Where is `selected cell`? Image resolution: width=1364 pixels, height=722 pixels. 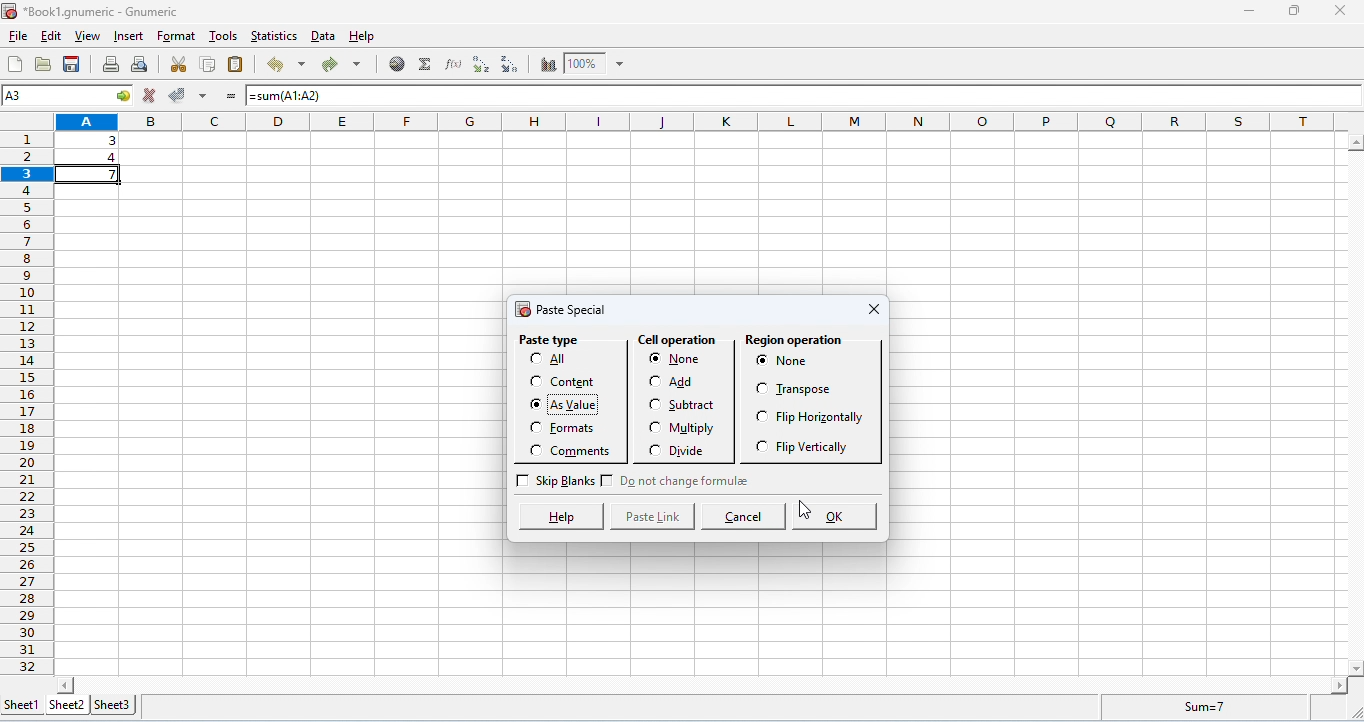
selected cell is located at coordinates (67, 97).